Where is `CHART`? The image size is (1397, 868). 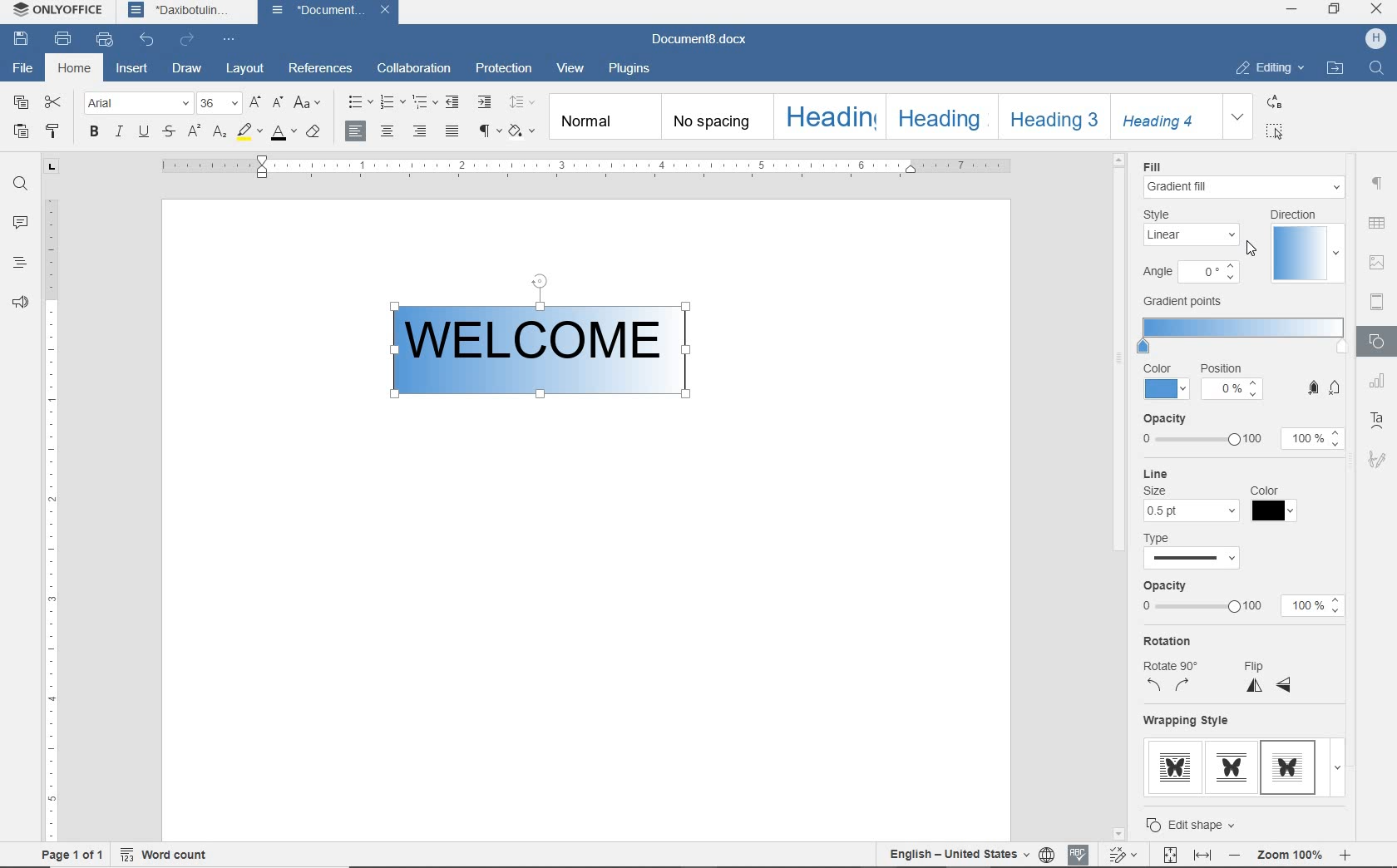
CHART is located at coordinates (1380, 382).